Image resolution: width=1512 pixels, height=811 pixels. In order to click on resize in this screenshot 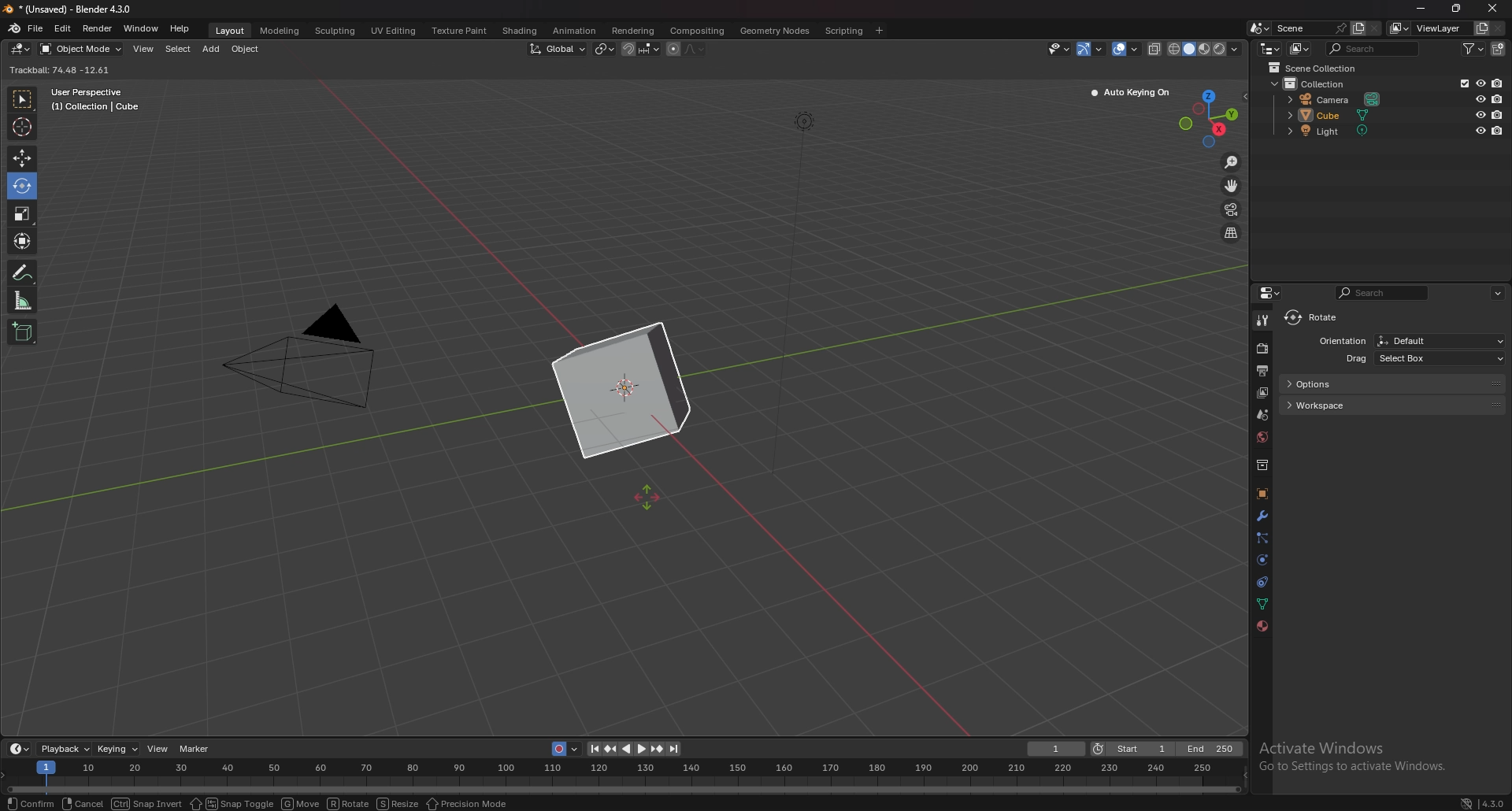, I will do `click(398, 803)`.